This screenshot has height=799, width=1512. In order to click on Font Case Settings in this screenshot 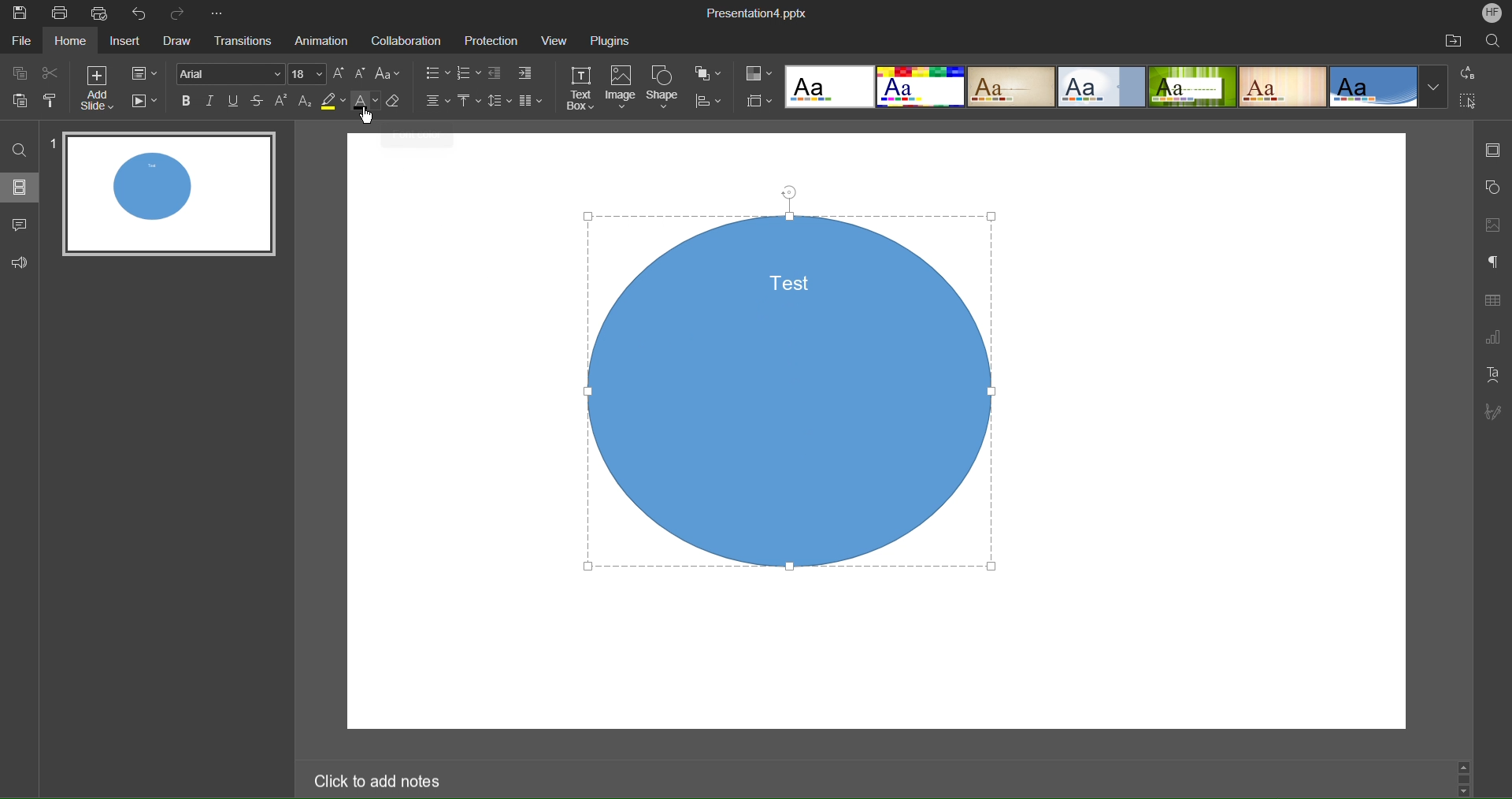, I will do `click(389, 74)`.